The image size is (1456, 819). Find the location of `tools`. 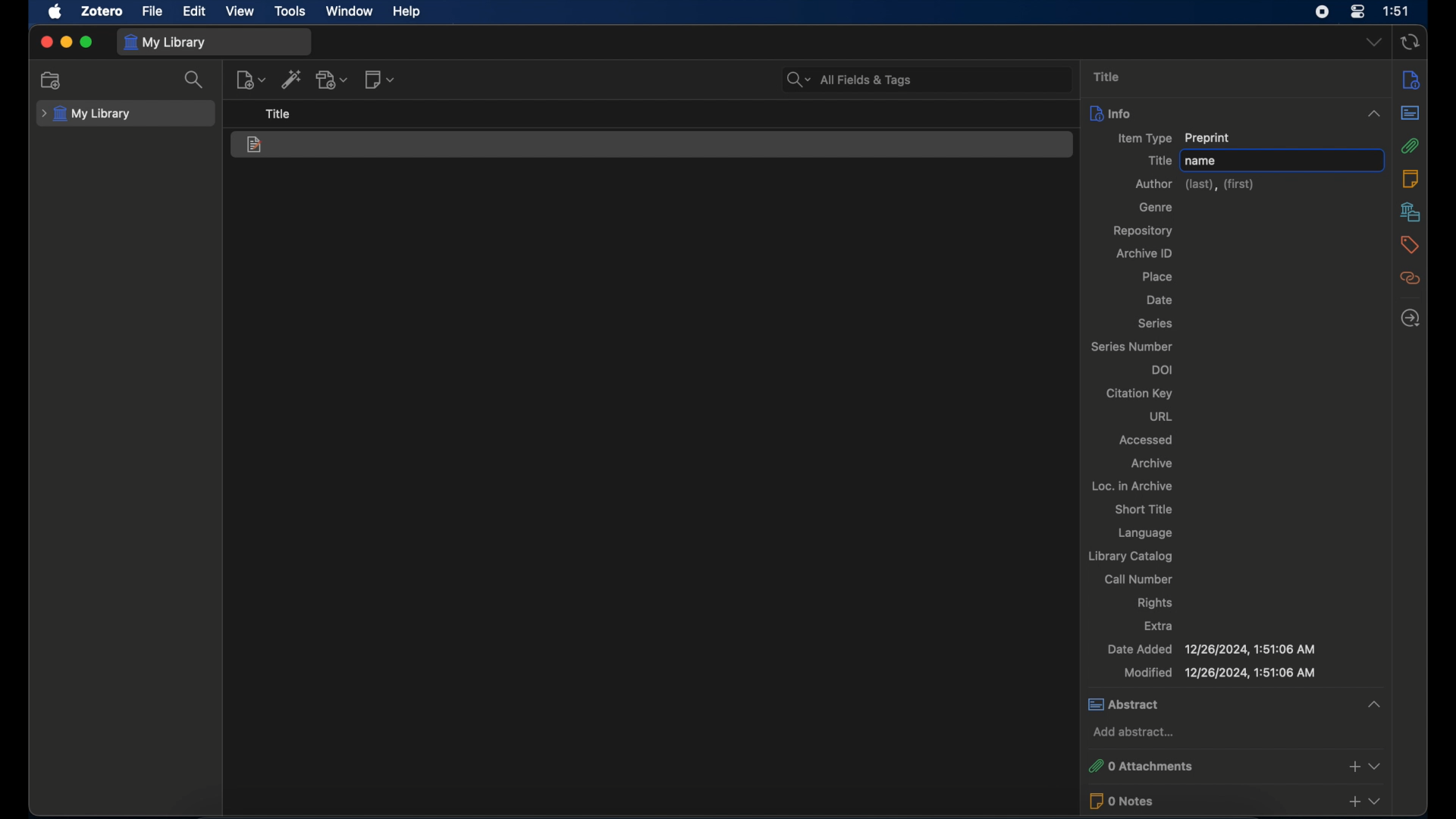

tools is located at coordinates (290, 11).